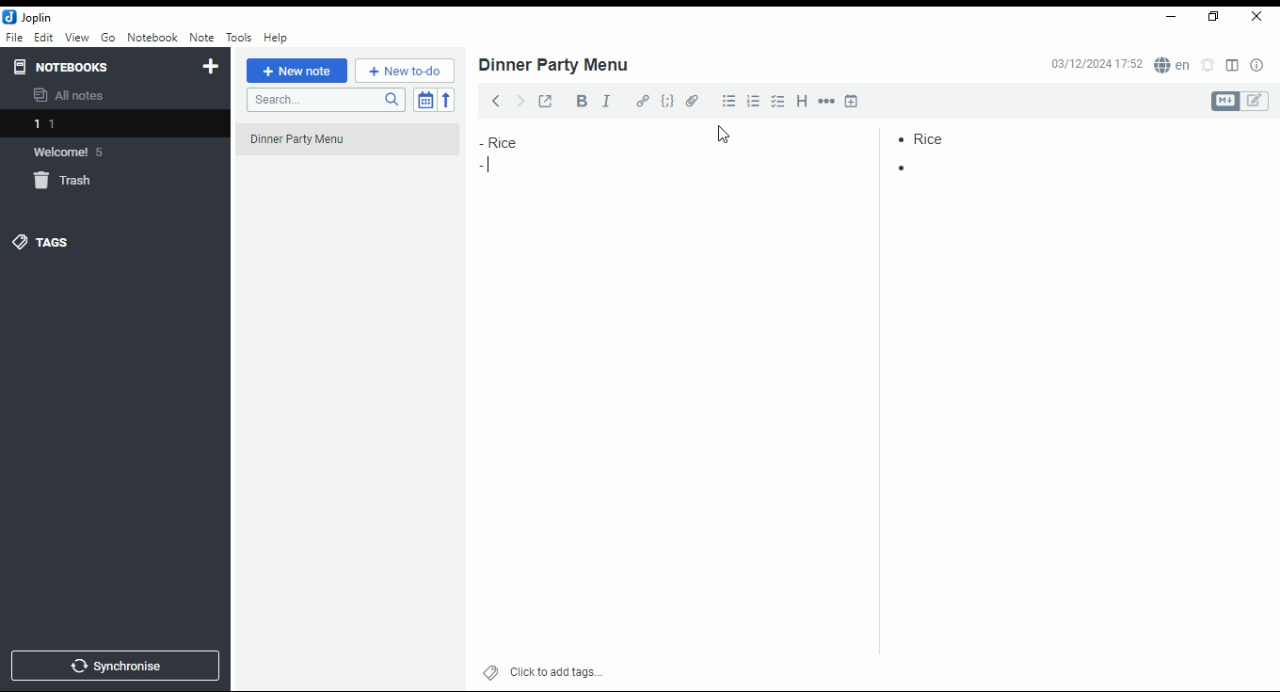  I want to click on toggle editor layout, so click(1232, 66).